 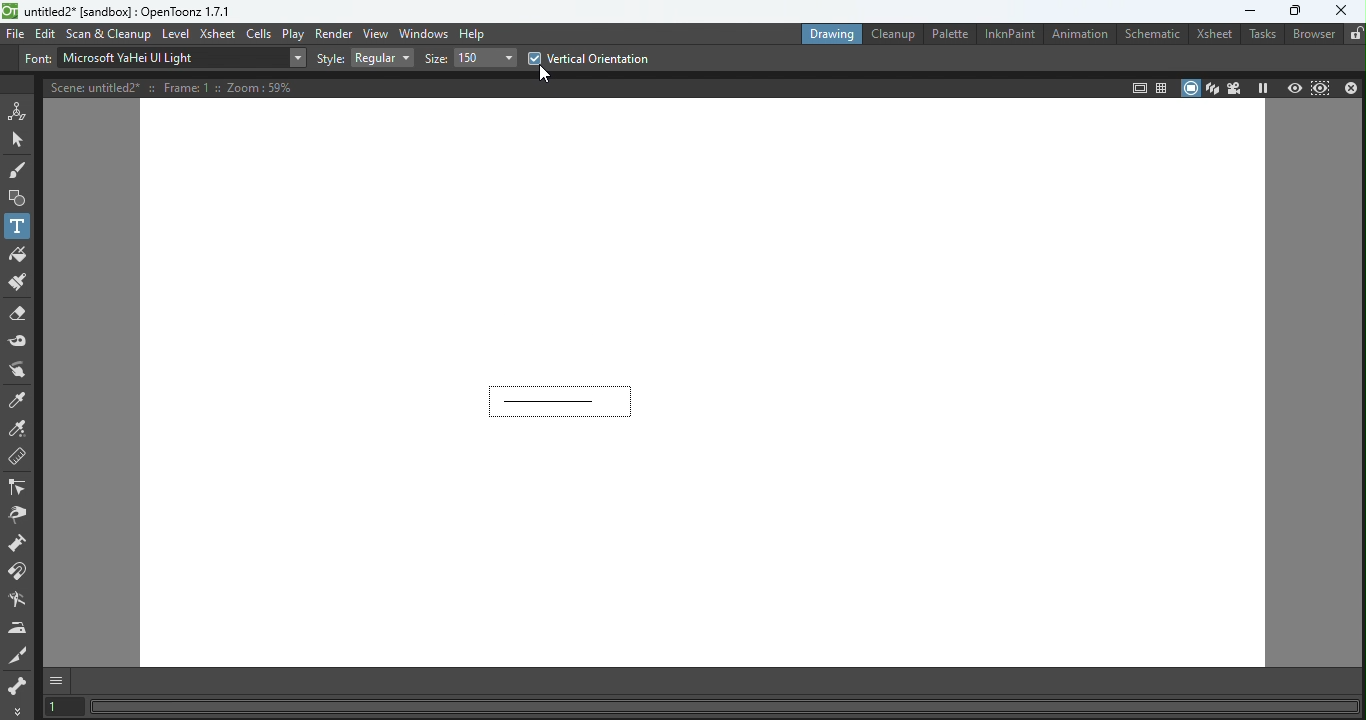 I want to click on Tape tool, so click(x=18, y=341).